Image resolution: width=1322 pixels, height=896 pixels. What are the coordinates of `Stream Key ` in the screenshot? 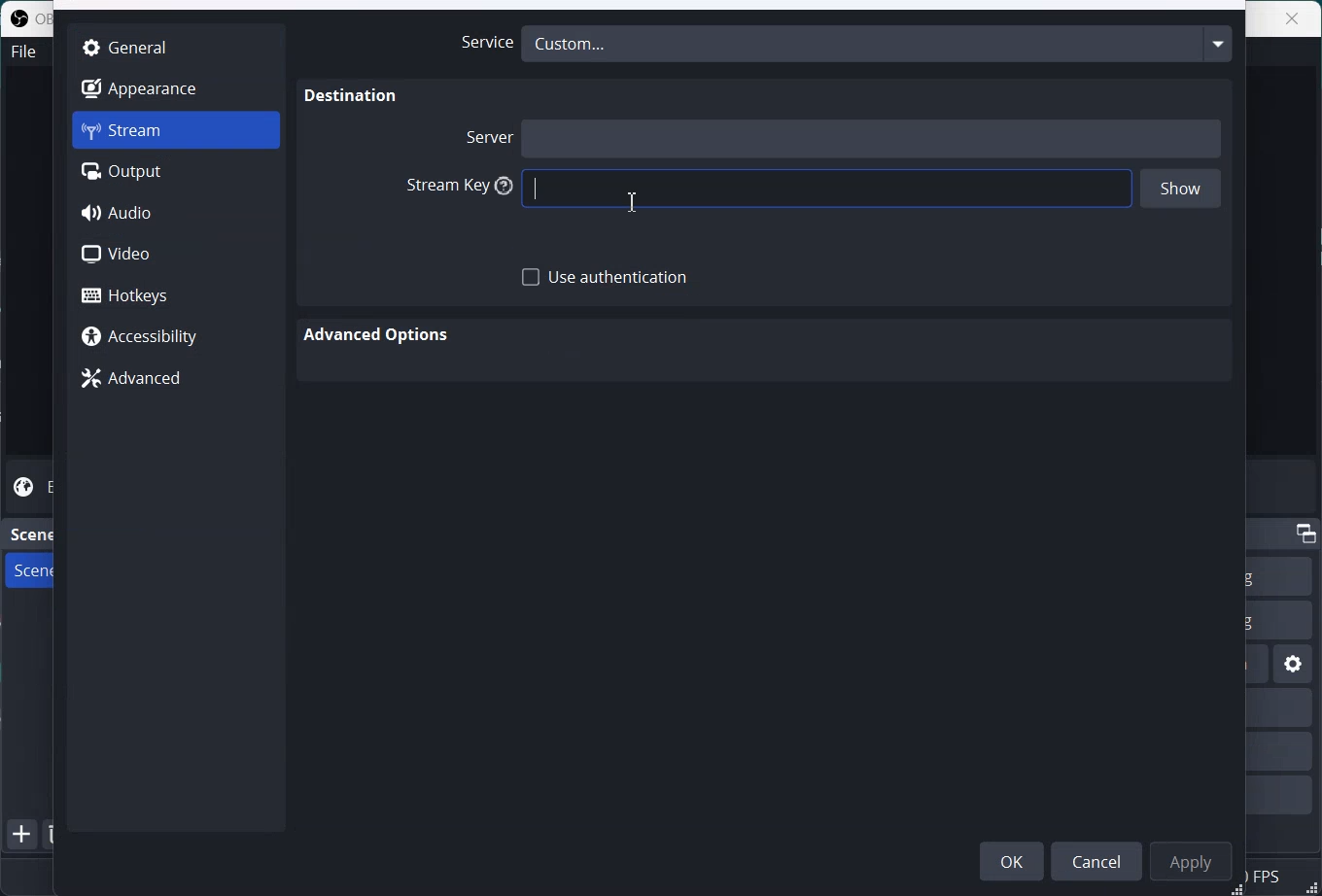 It's located at (454, 187).